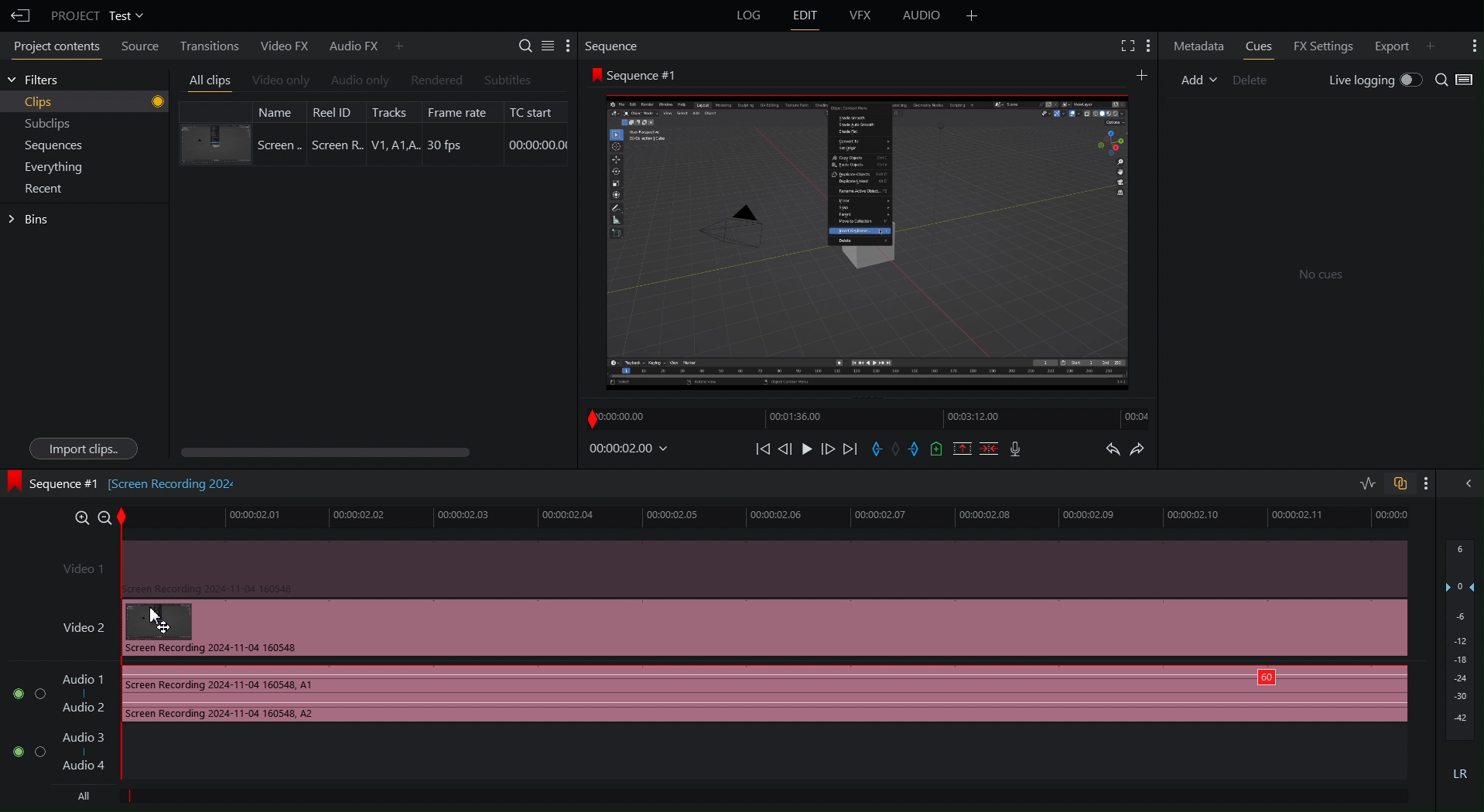 The width and height of the screenshot is (1484, 812). Describe the element at coordinates (45, 167) in the screenshot. I see `Everything` at that location.